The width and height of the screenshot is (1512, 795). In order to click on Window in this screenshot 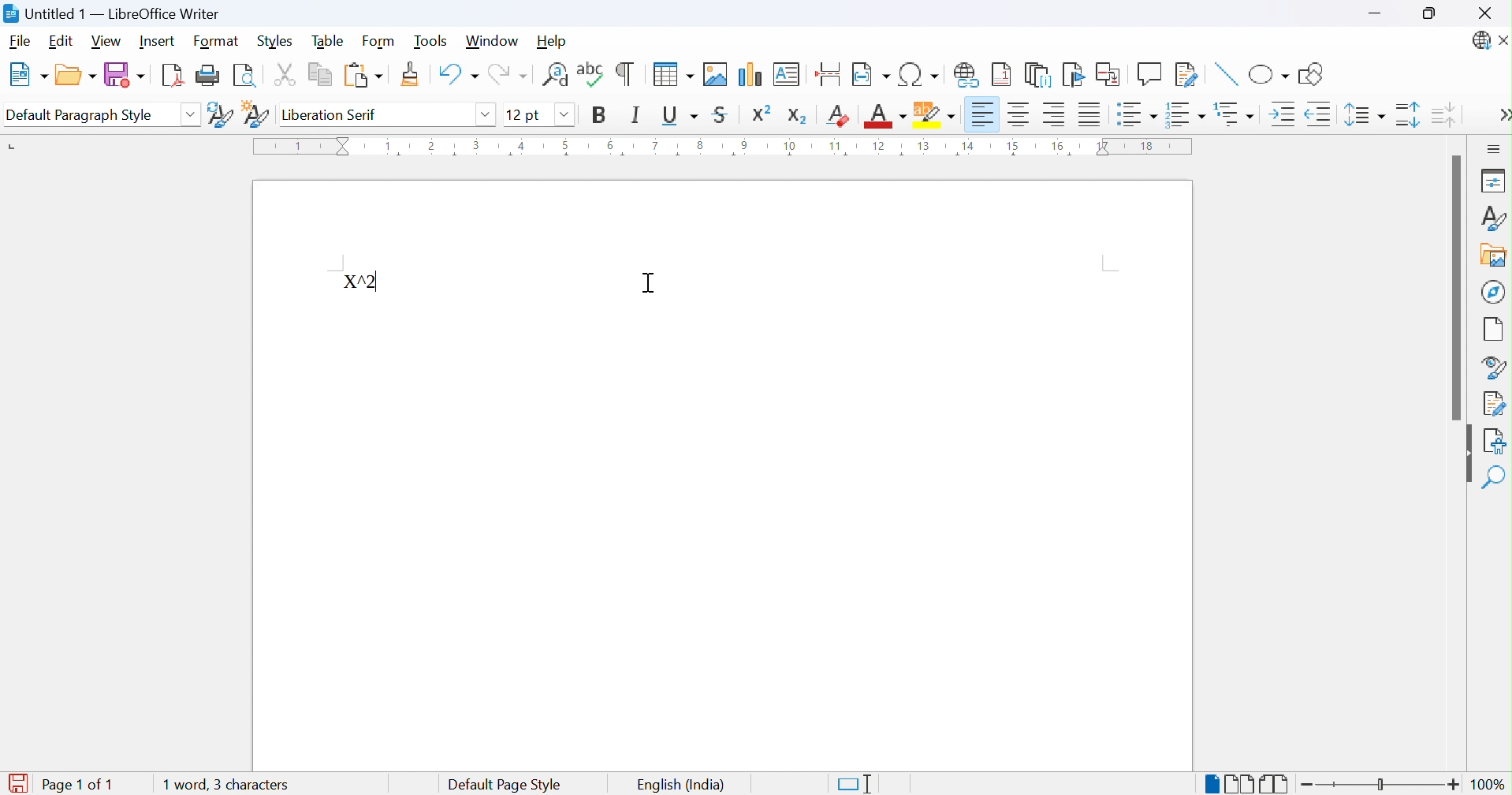, I will do `click(490, 42)`.